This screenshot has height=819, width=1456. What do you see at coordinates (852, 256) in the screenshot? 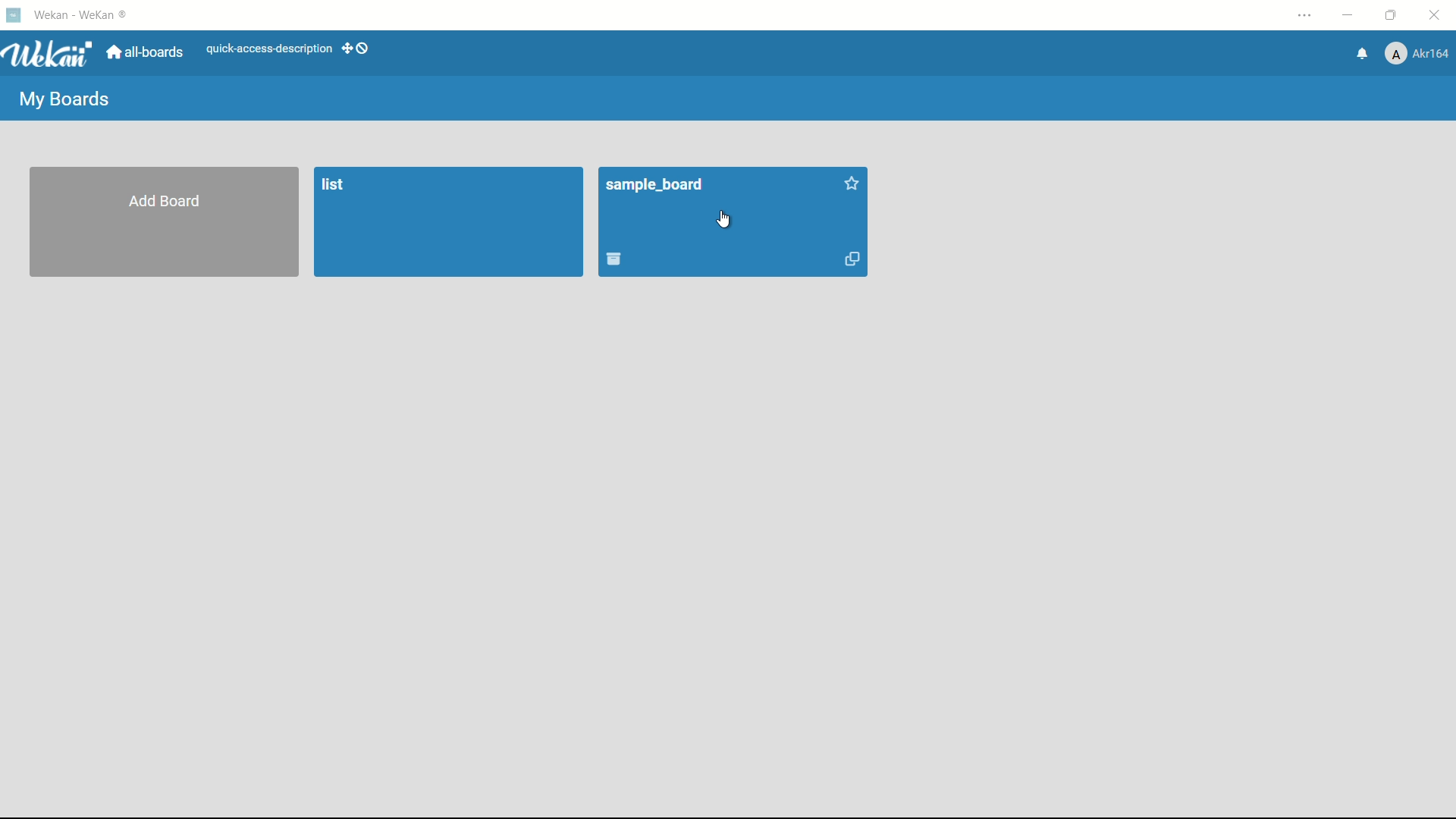
I see `duplicate board` at bounding box center [852, 256].